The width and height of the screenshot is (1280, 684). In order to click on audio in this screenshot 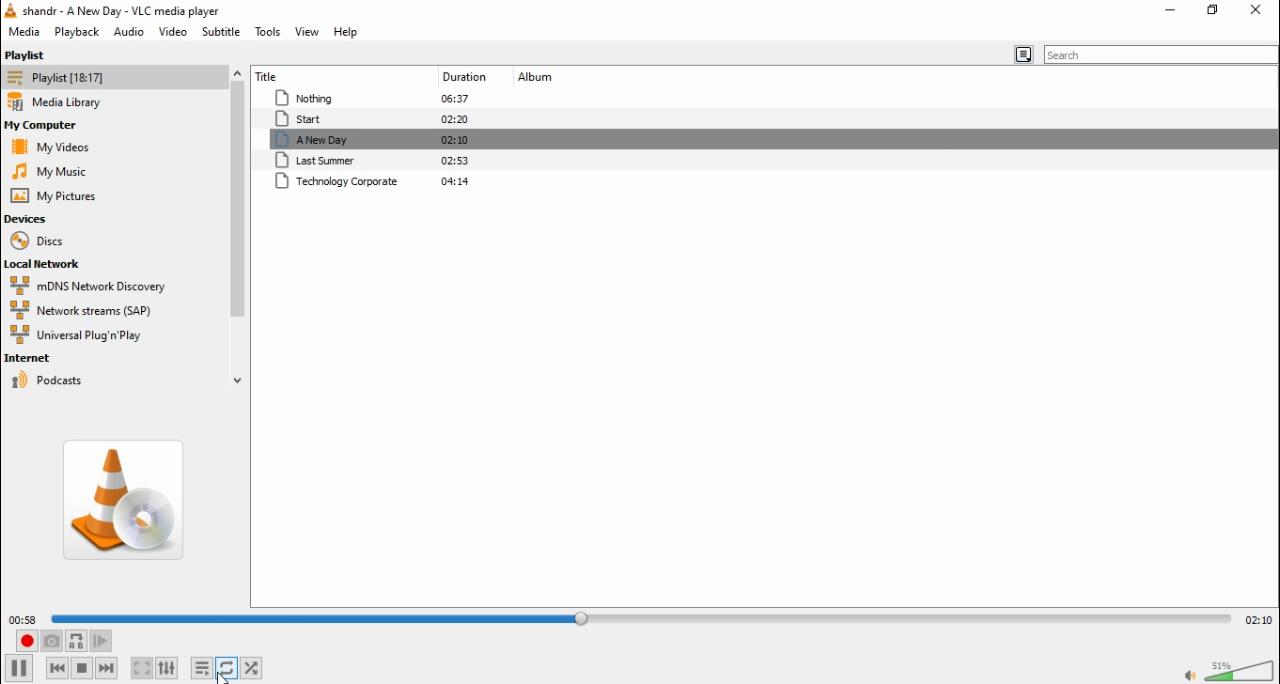, I will do `click(128, 32)`.